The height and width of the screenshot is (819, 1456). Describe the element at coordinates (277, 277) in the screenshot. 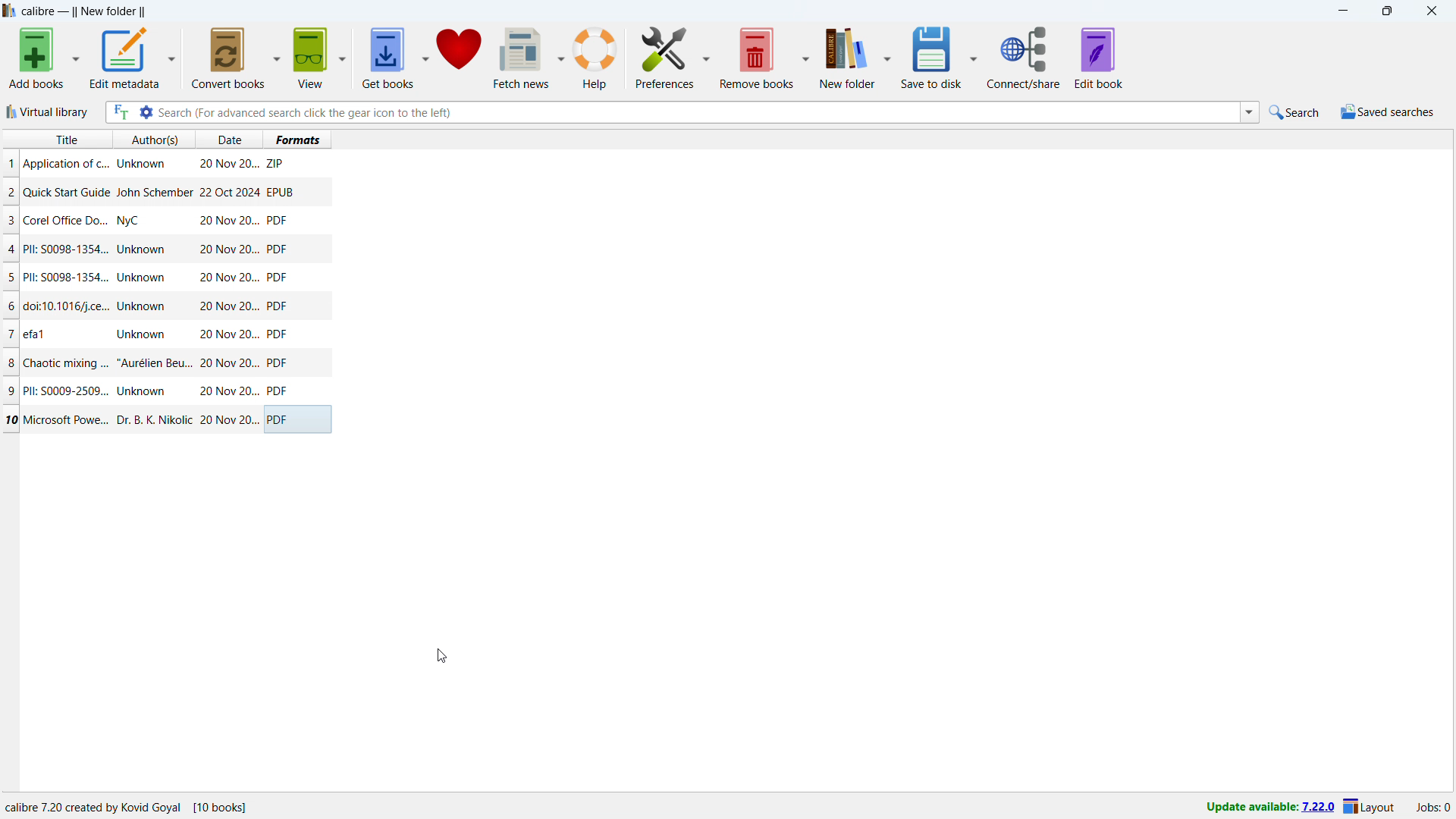

I see `PDF` at that location.